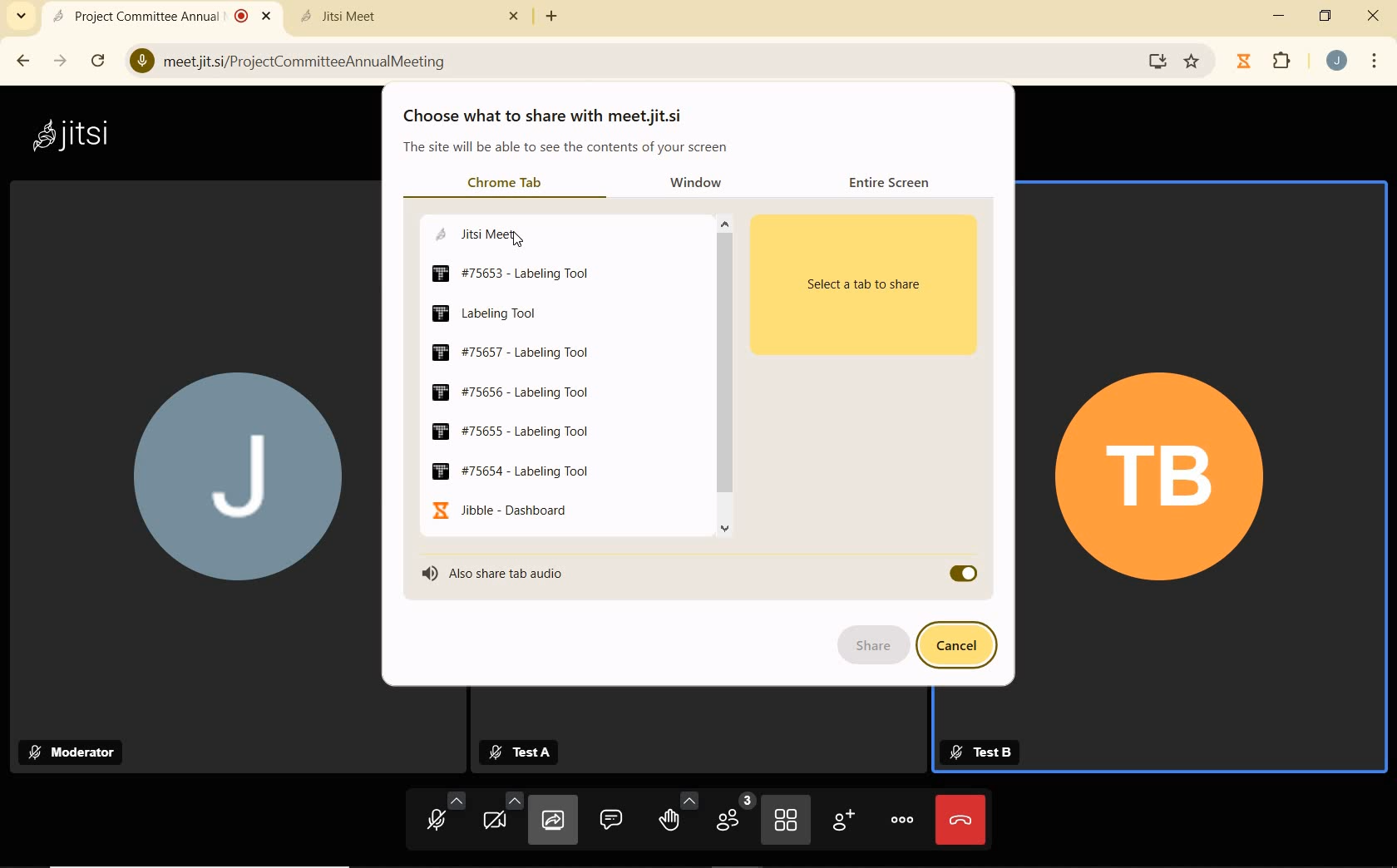 Image resolution: width=1397 pixels, height=868 pixels. I want to click on START SCREEN SHARING, so click(553, 822).